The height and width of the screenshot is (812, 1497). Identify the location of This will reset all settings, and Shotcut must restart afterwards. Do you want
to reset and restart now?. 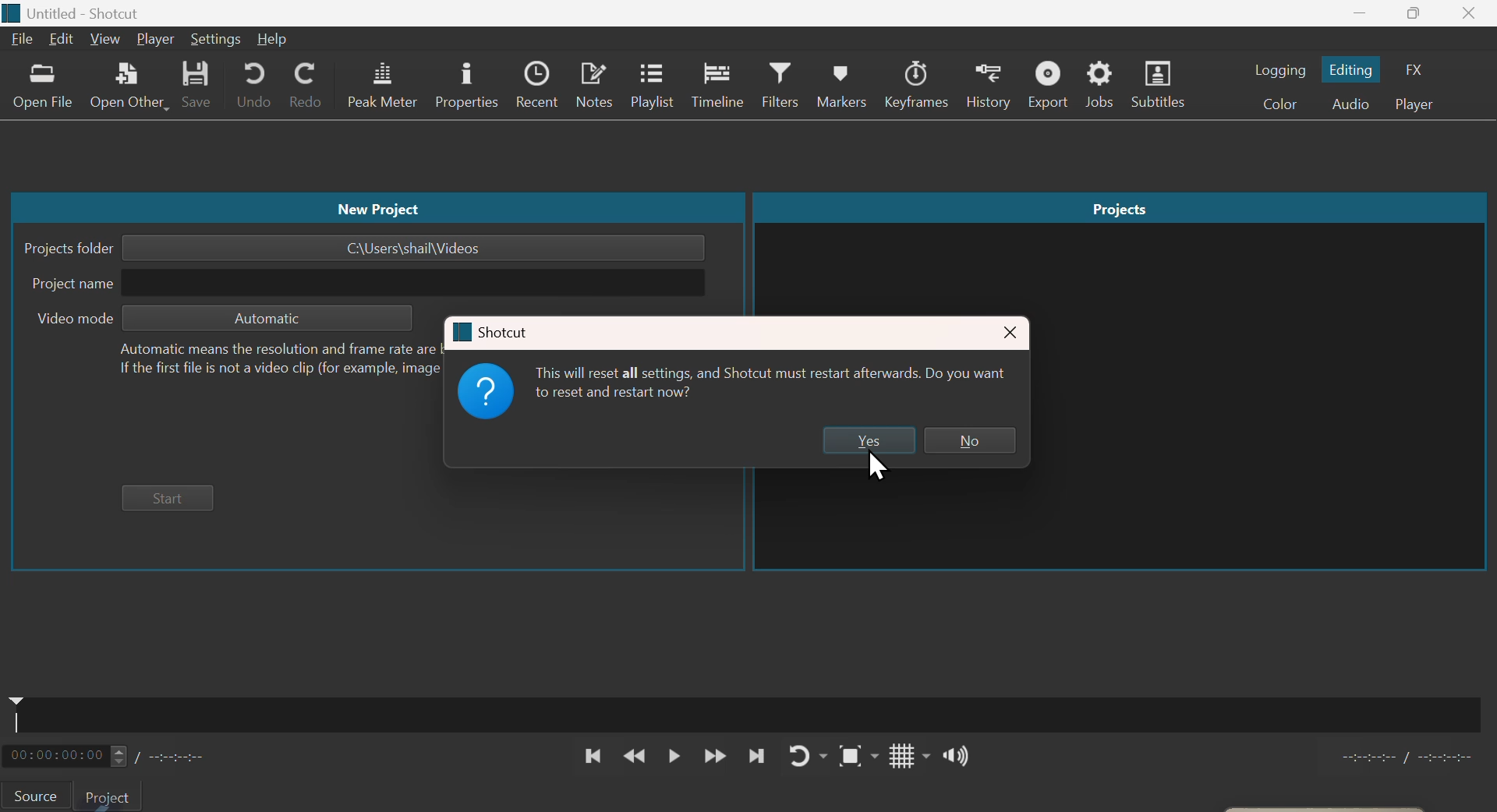
(772, 386).